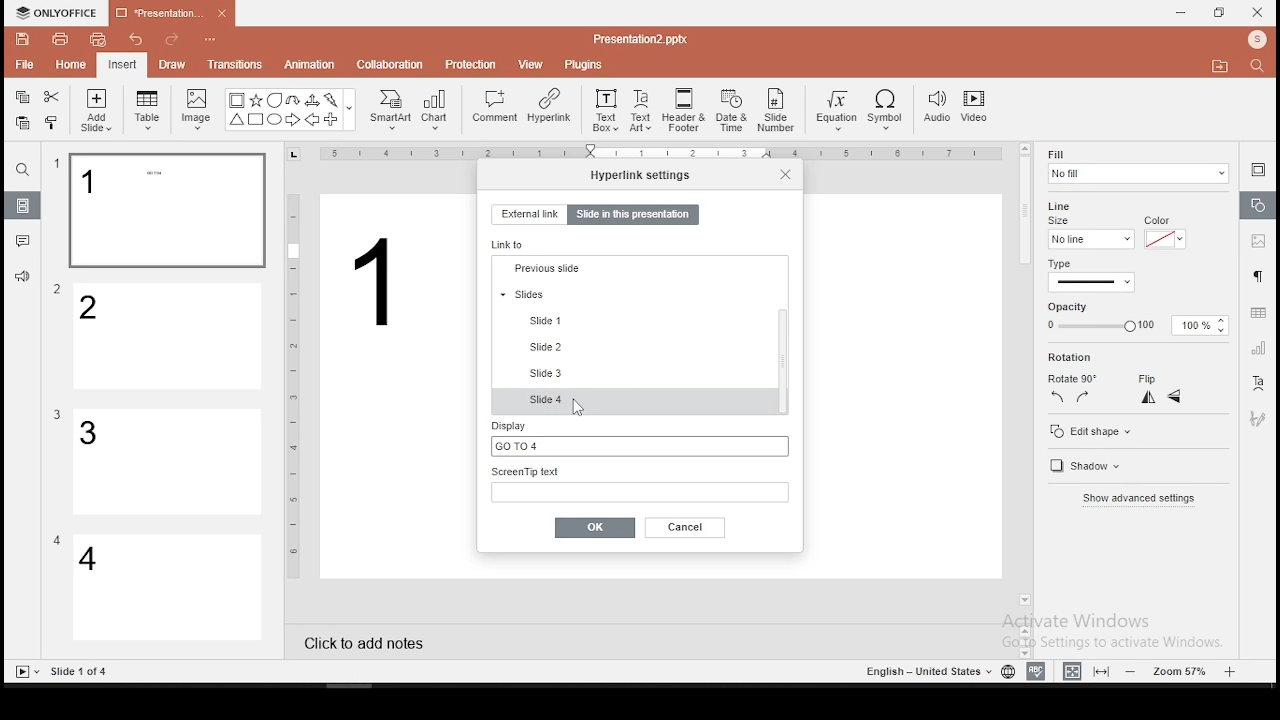  Describe the element at coordinates (1137, 166) in the screenshot. I see `fill` at that location.